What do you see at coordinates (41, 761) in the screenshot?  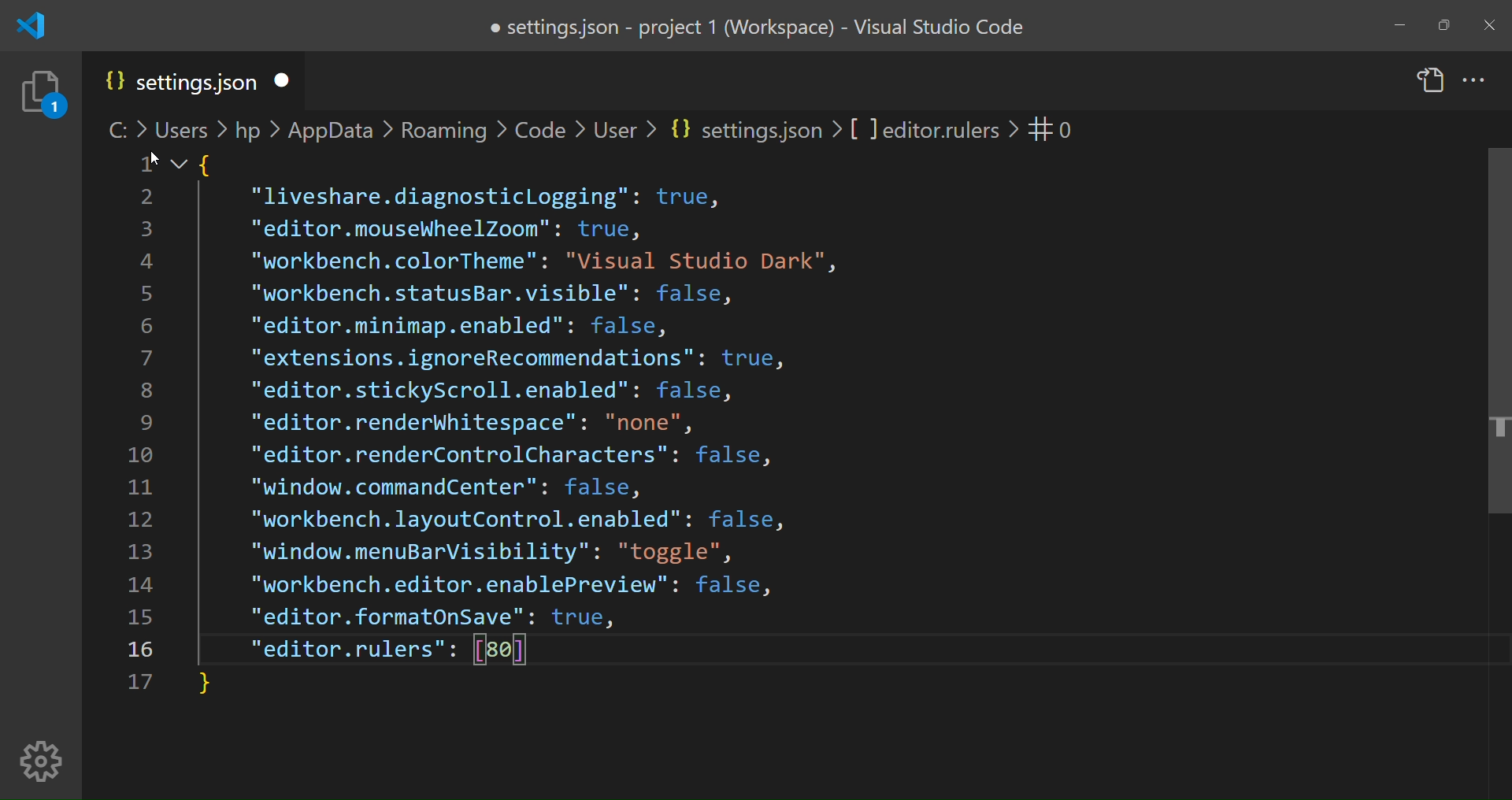 I see `manage` at bounding box center [41, 761].